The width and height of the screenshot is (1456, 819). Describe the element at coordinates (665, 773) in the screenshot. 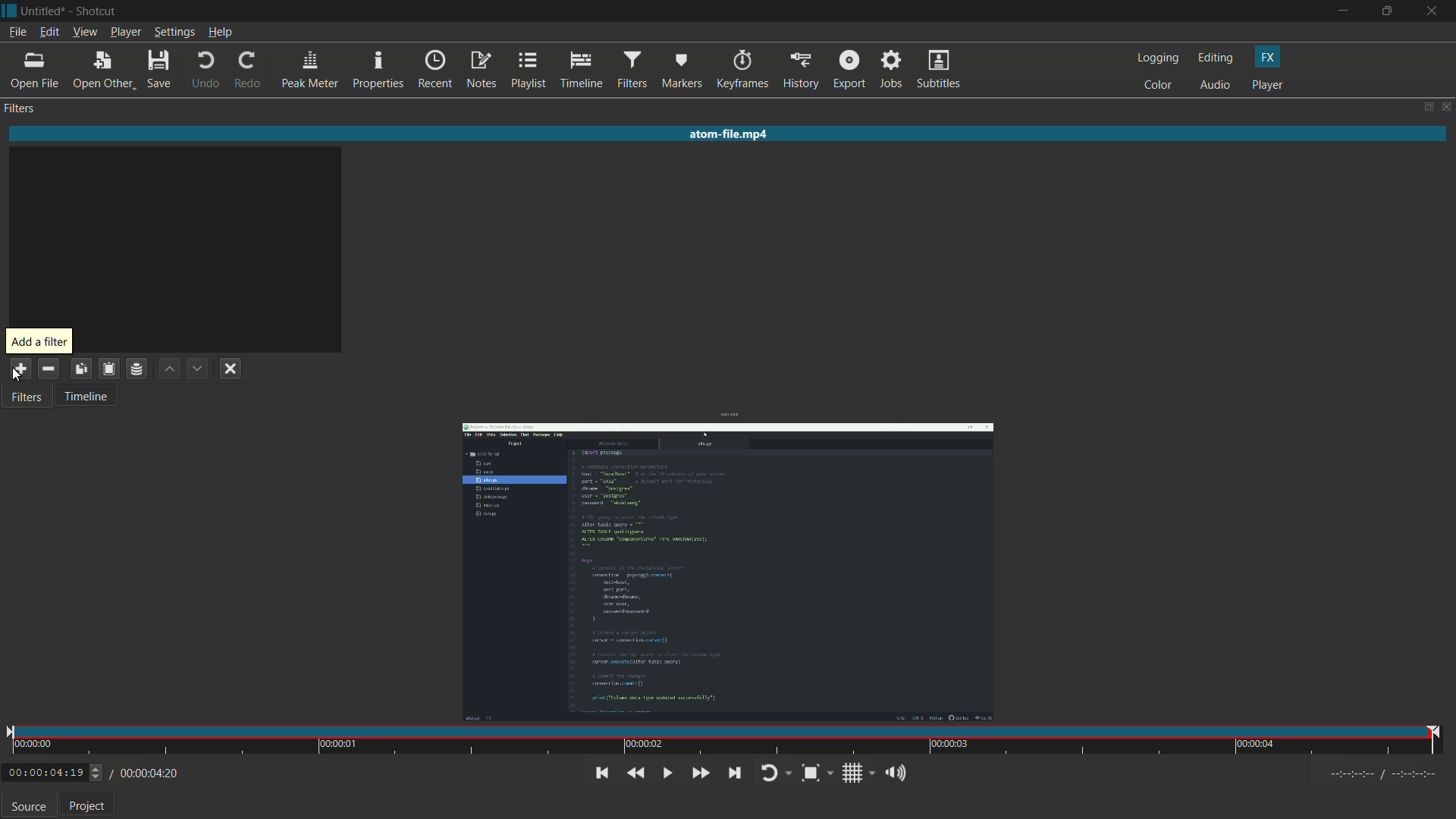

I see `toggle play` at that location.